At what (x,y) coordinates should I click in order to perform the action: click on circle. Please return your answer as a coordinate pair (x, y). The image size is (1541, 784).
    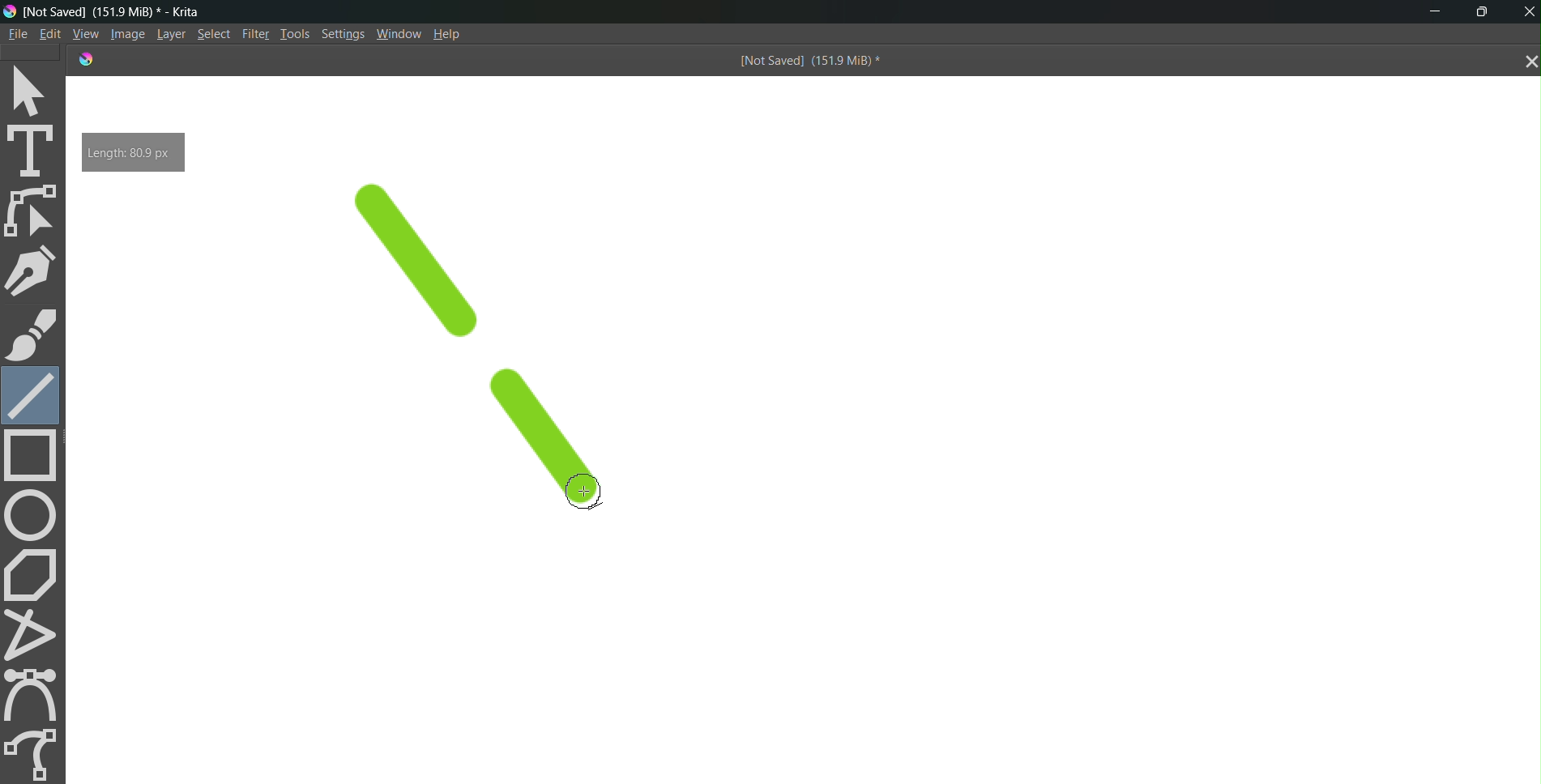
    Looking at the image, I should click on (32, 514).